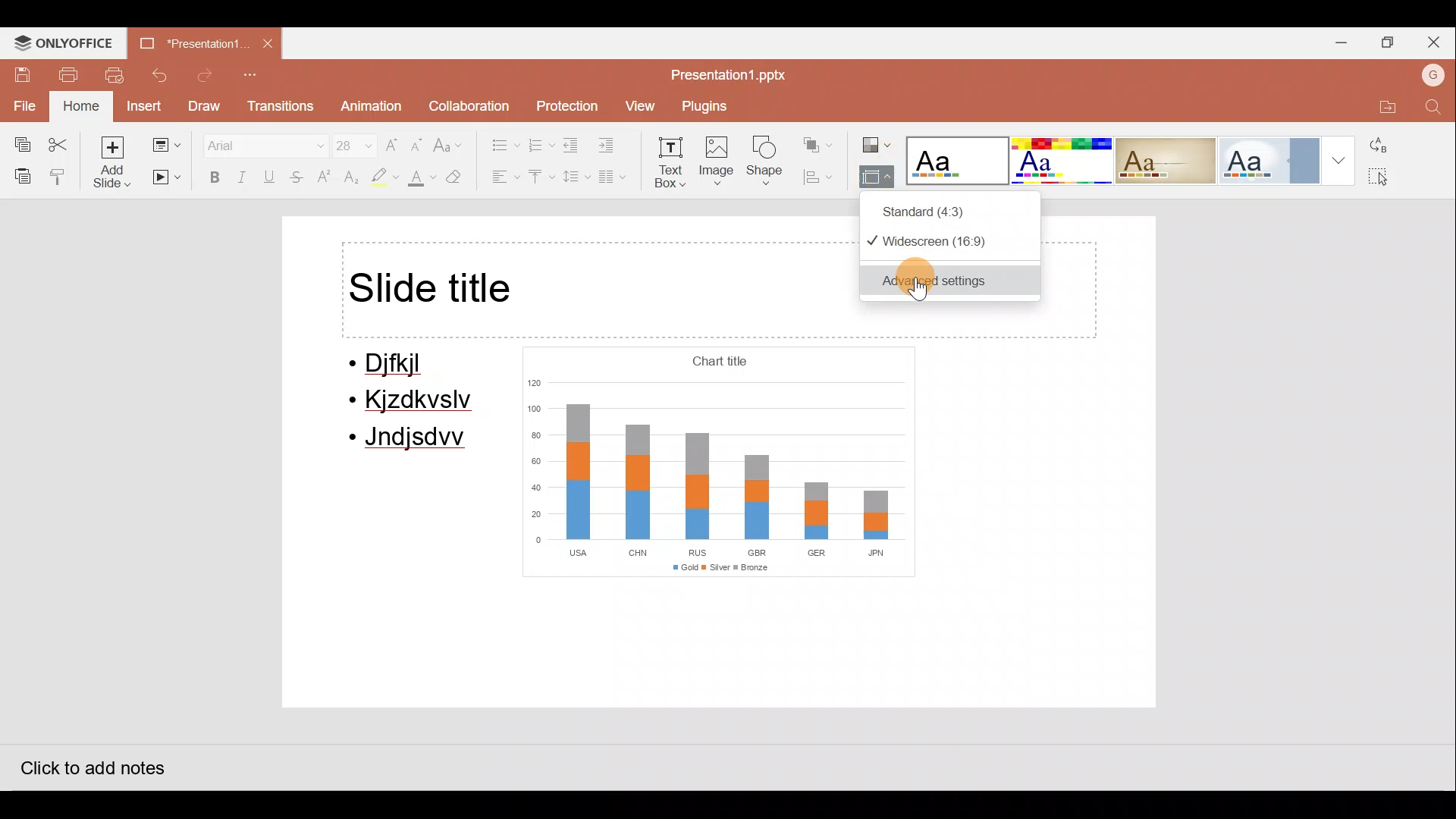 Image resolution: width=1456 pixels, height=819 pixels. Describe the element at coordinates (17, 141) in the screenshot. I see `Copy` at that location.